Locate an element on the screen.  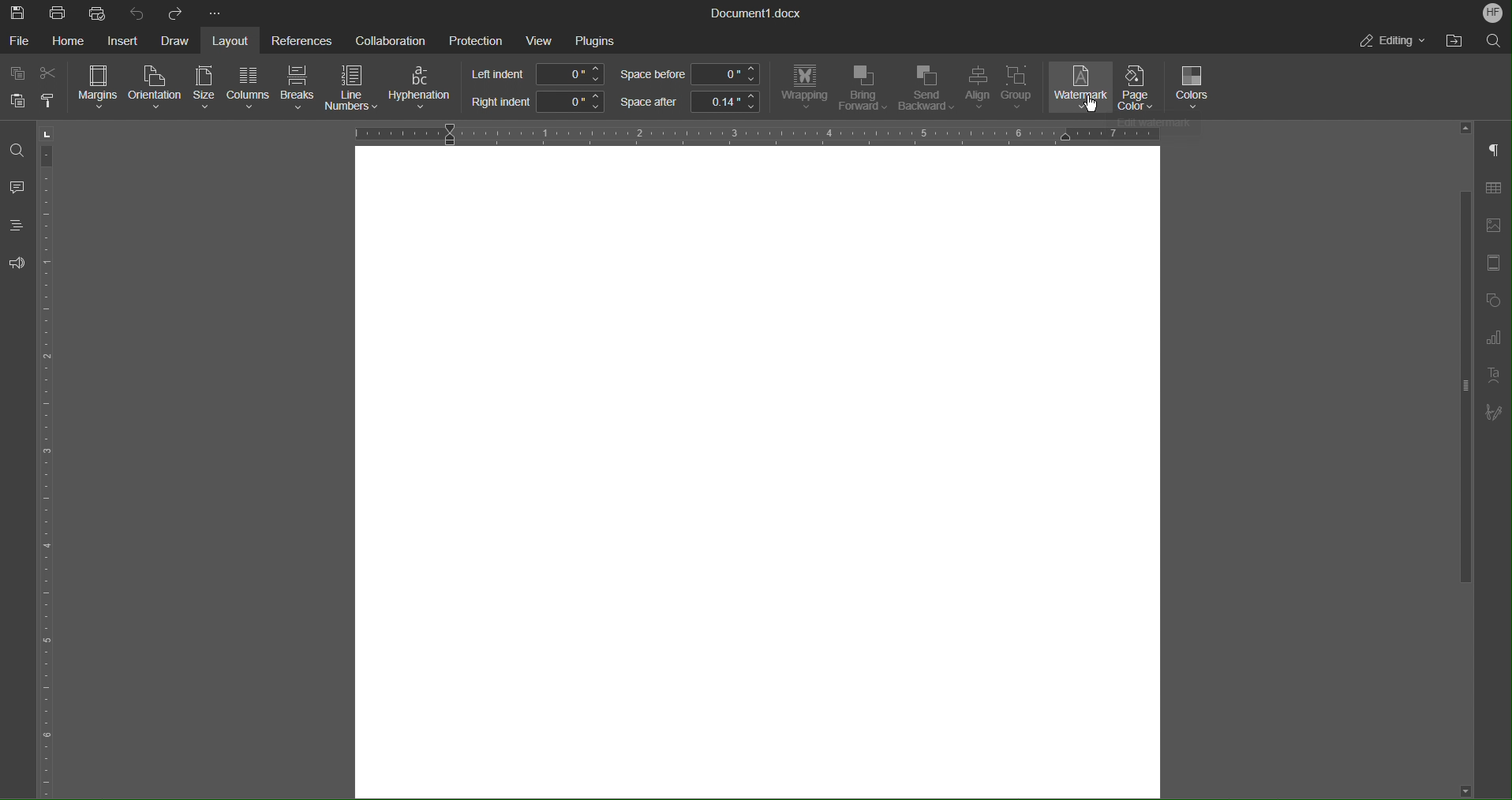
Account is located at coordinates (1493, 13).